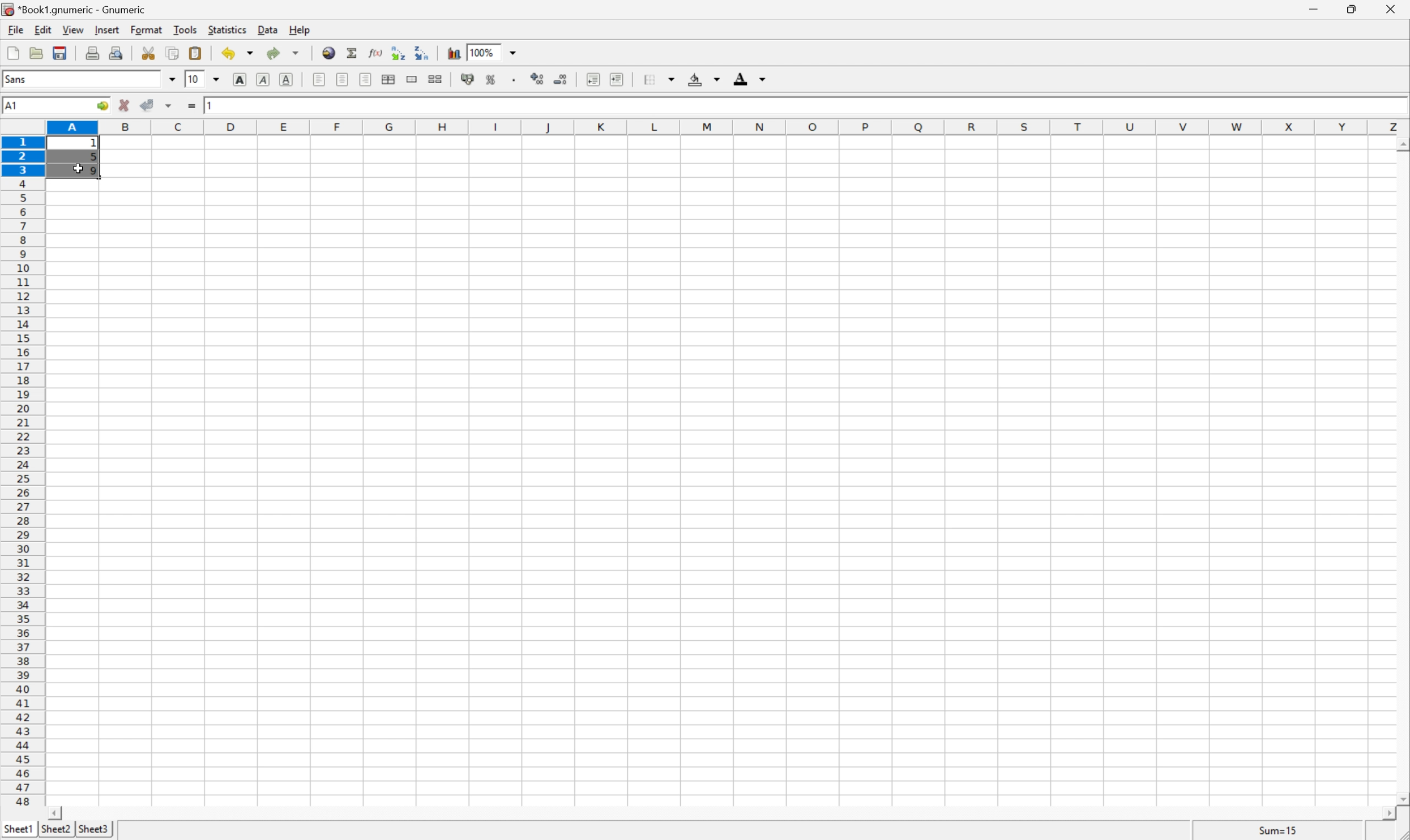 The width and height of the screenshot is (1410, 840). What do you see at coordinates (91, 51) in the screenshot?
I see `print` at bounding box center [91, 51].